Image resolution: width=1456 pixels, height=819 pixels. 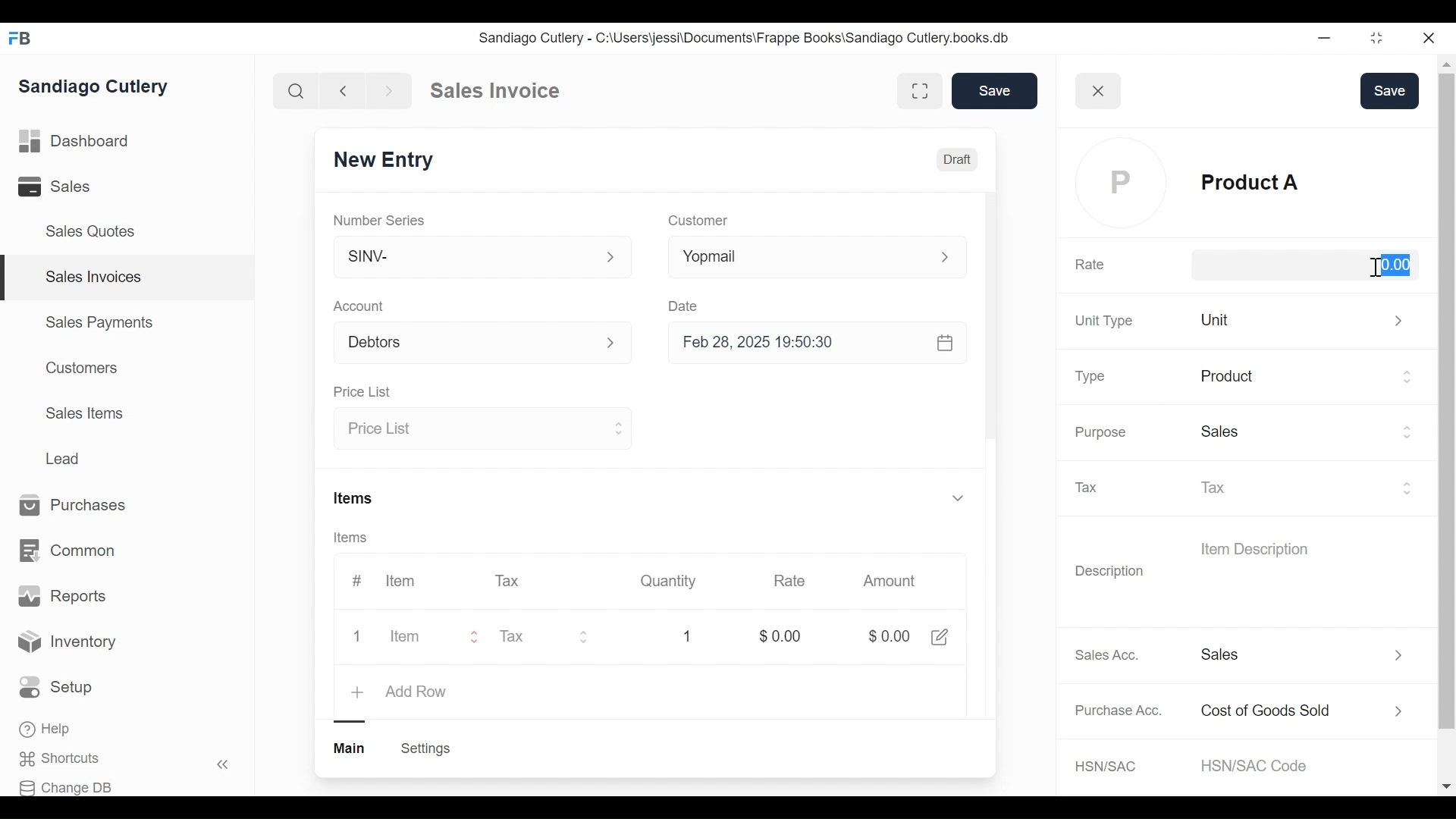 I want to click on Description, so click(x=1110, y=573).